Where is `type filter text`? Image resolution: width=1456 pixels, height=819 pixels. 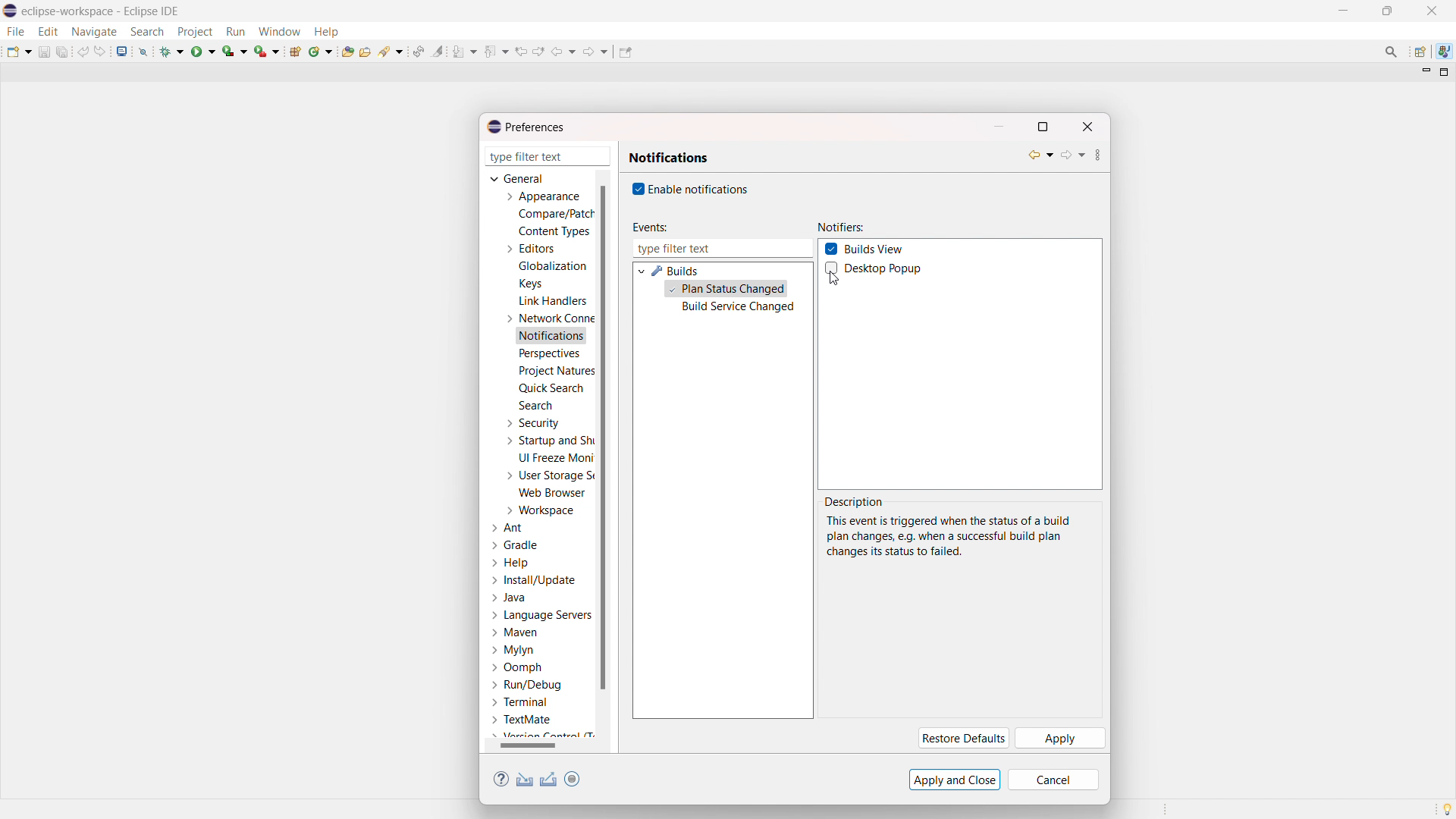 type filter text is located at coordinates (549, 156).